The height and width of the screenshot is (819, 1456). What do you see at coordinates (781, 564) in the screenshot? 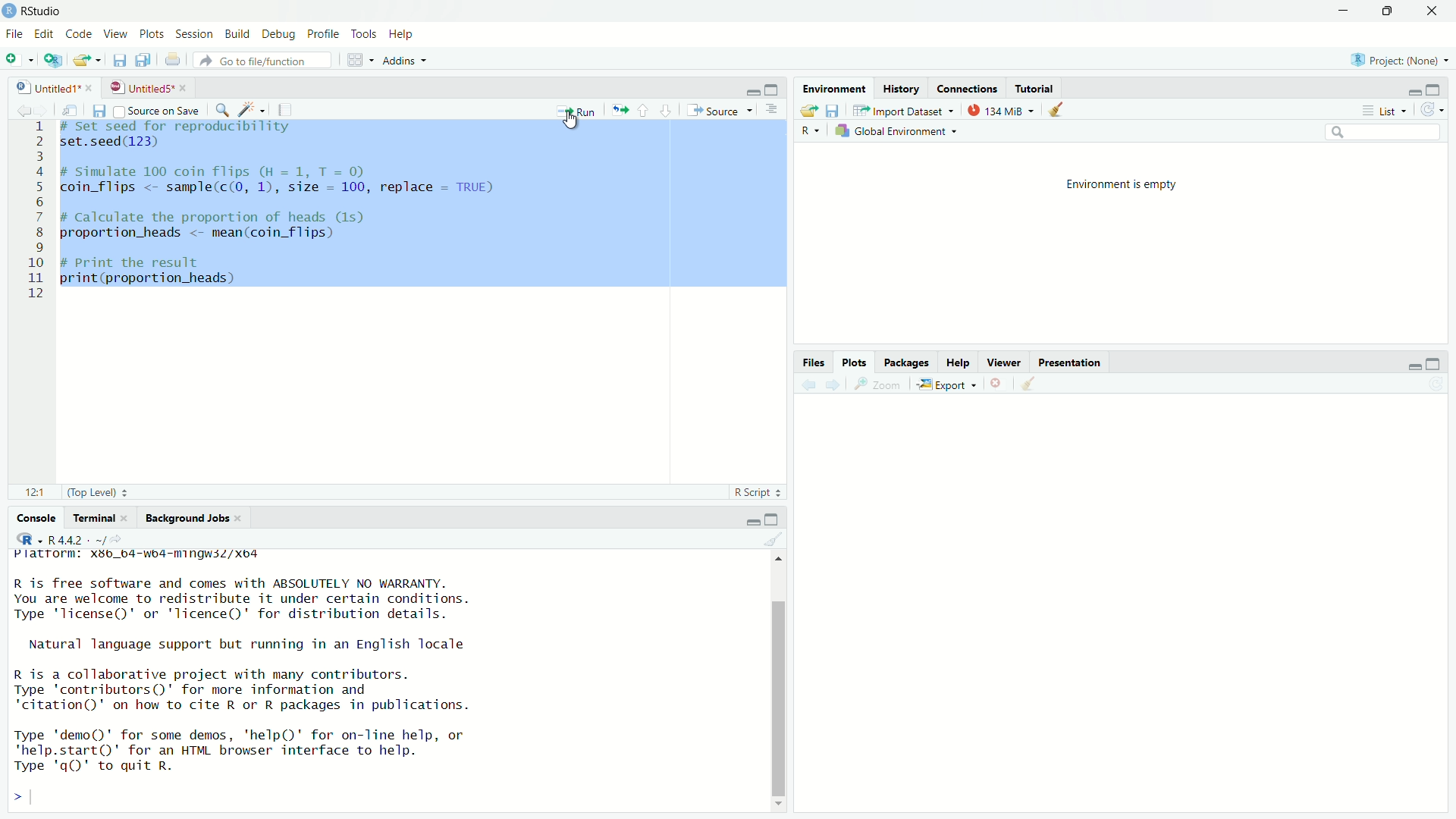
I see `move top` at bounding box center [781, 564].